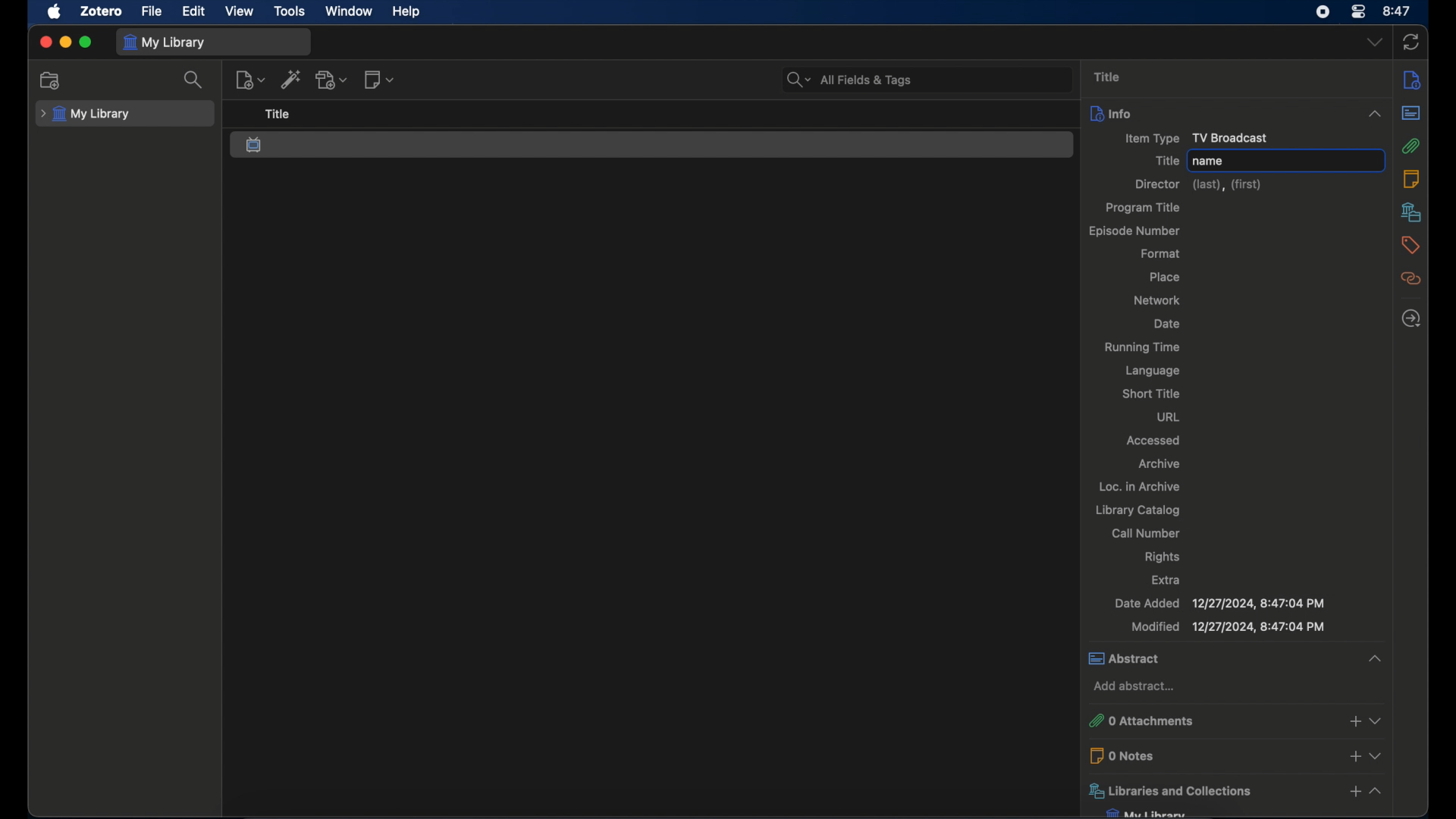 The image size is (1456, 819). I want to click on short title, so click(1152, 394).